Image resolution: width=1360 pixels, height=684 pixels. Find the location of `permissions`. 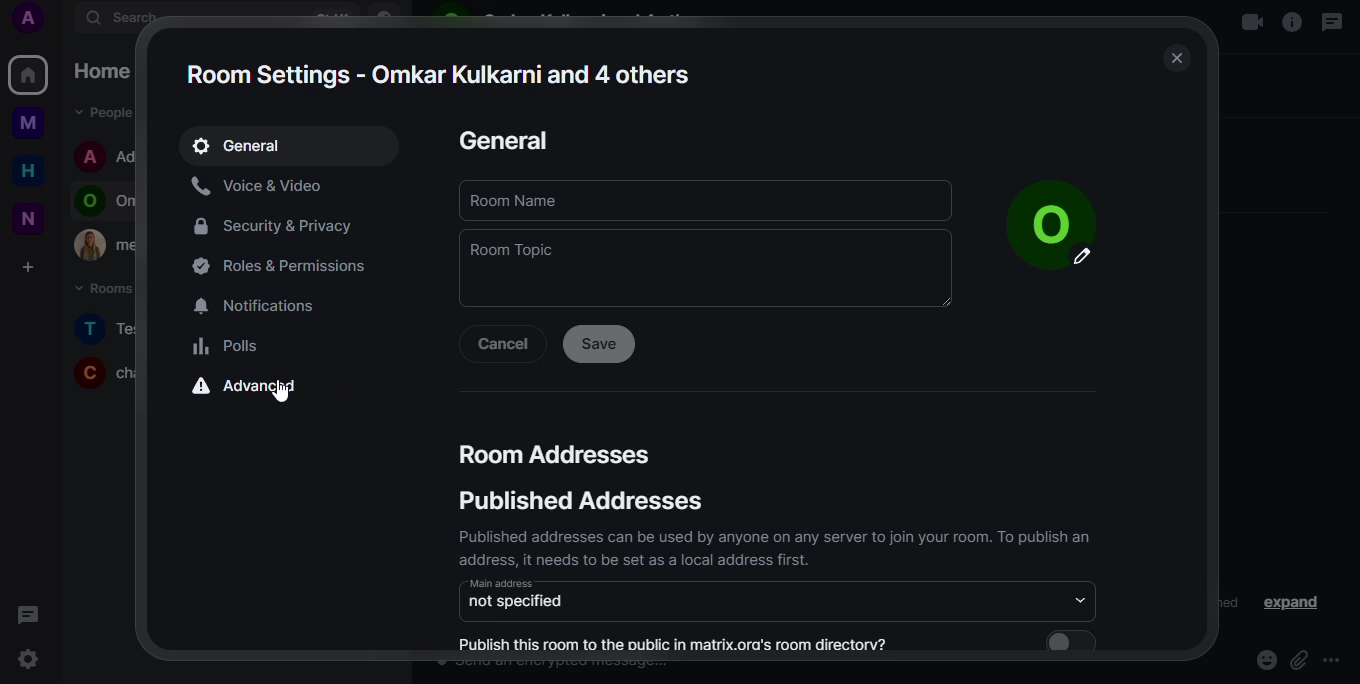

permissions is located at coordinates (288, 263).